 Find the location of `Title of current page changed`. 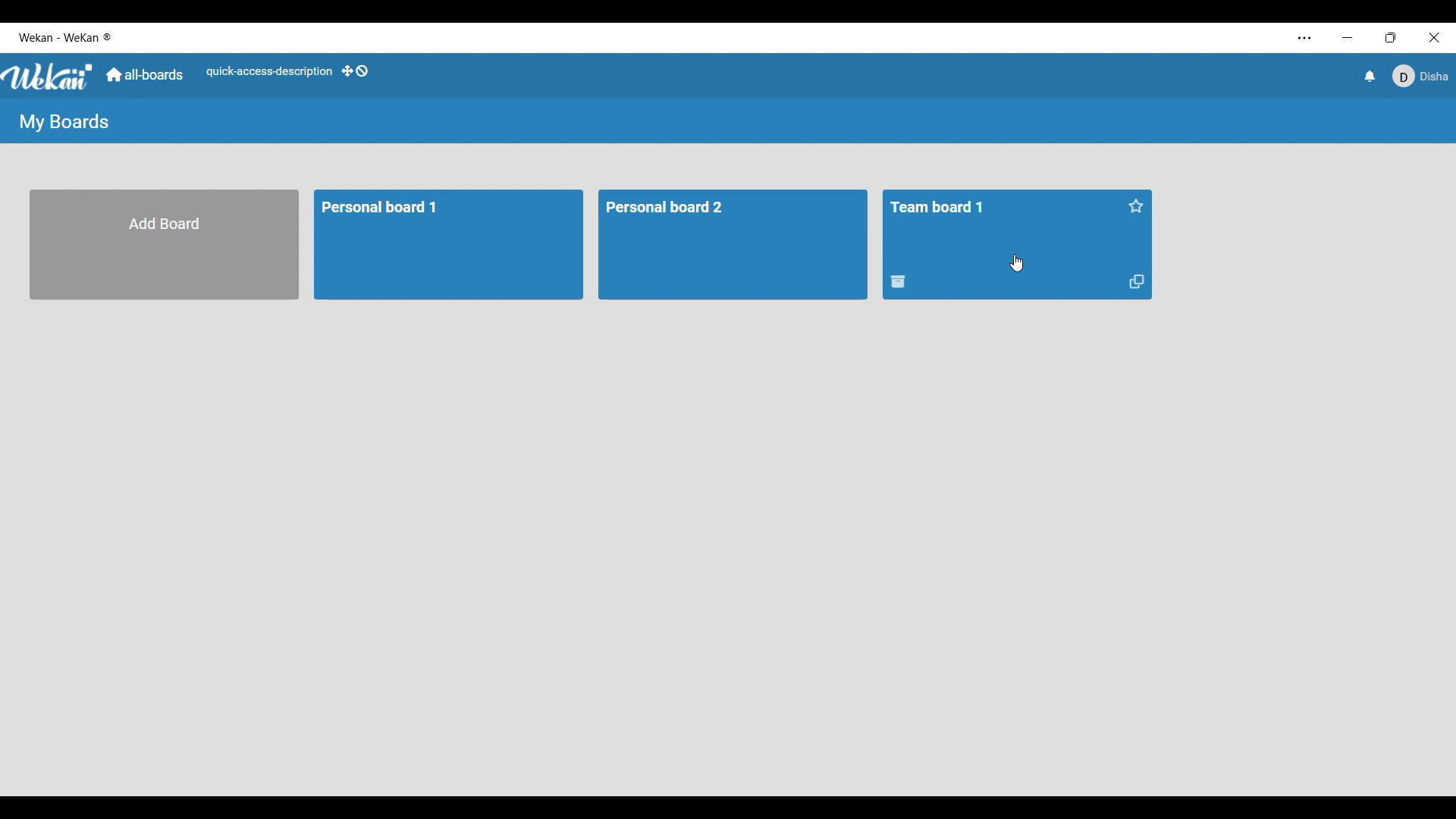

Title of current page changed is located at coordinates (63, 122).